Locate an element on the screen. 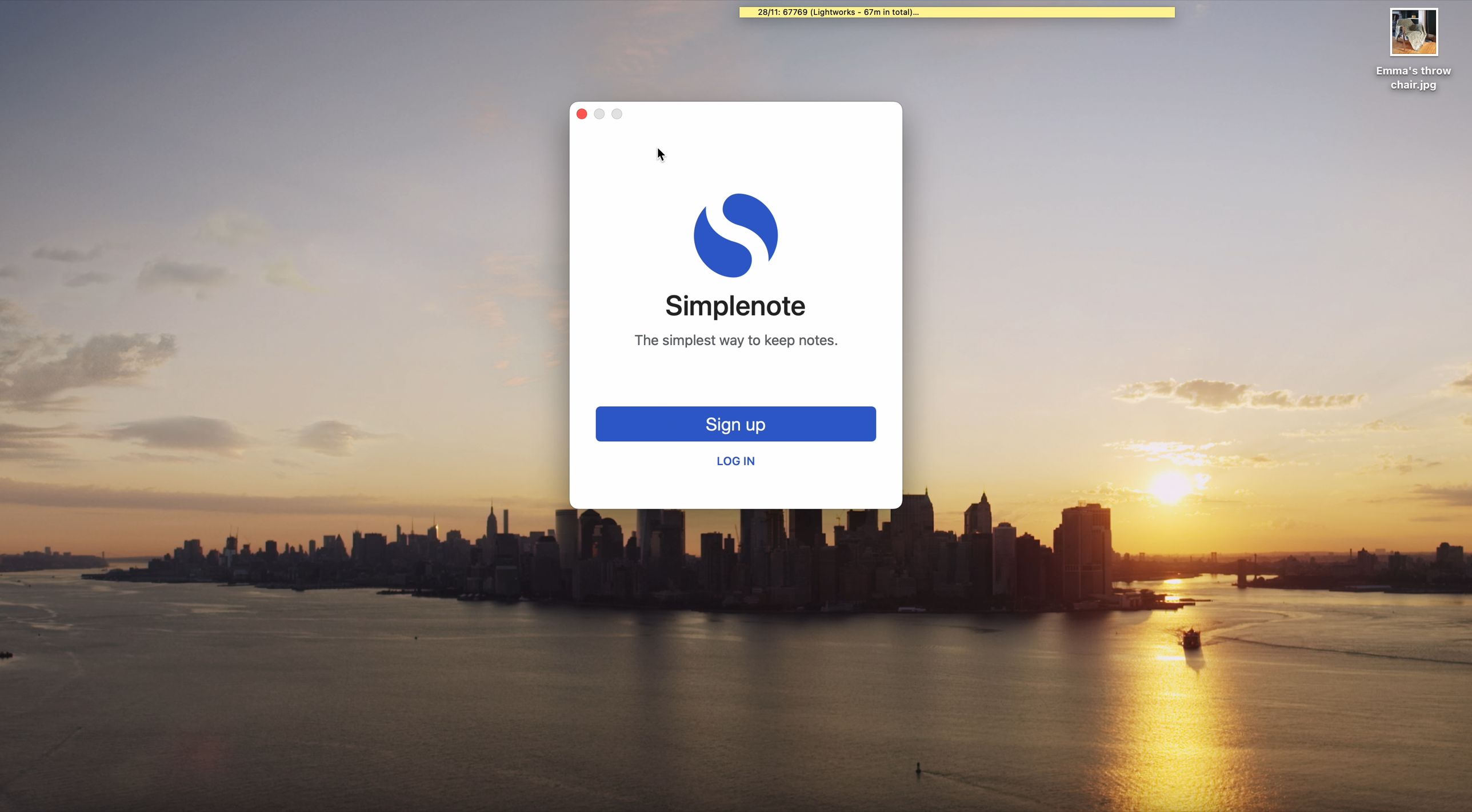  sign up is located at coordinates (737, 425).